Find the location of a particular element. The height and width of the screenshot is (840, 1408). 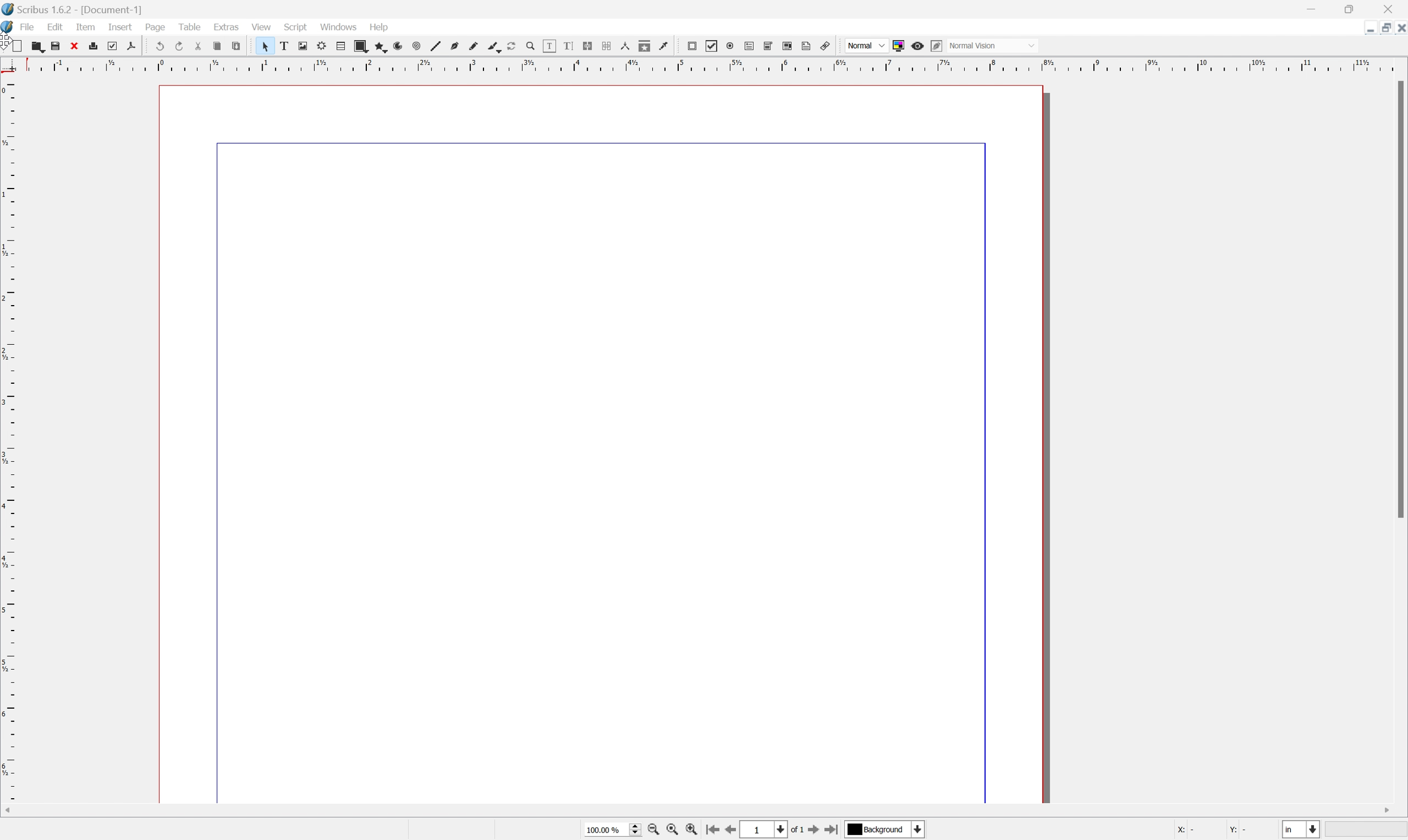

go to last page is located at coordinates (832, 832).